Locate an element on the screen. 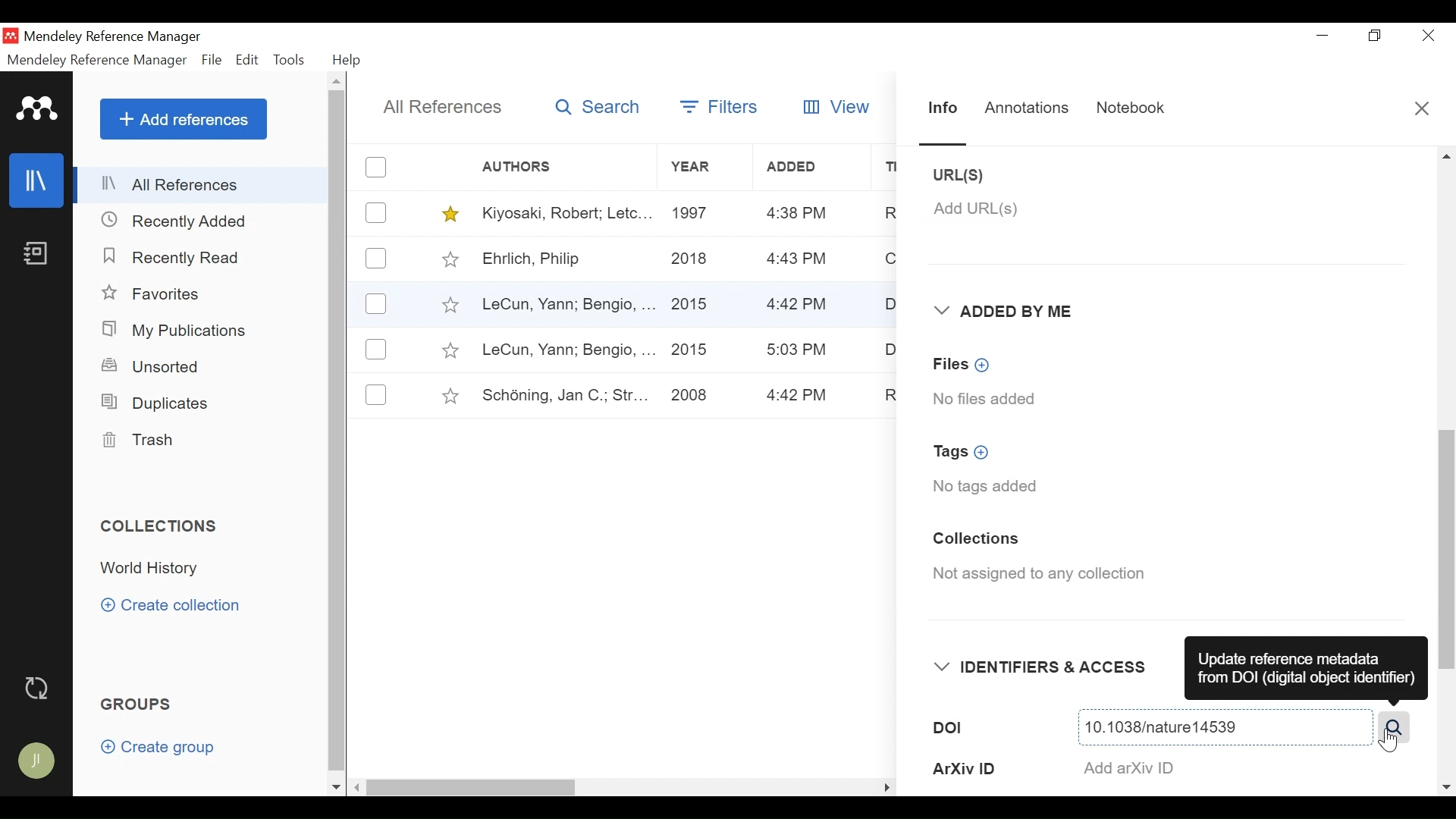 The image size is (1456, 819). 2015 is located at coordinates (691, 350).